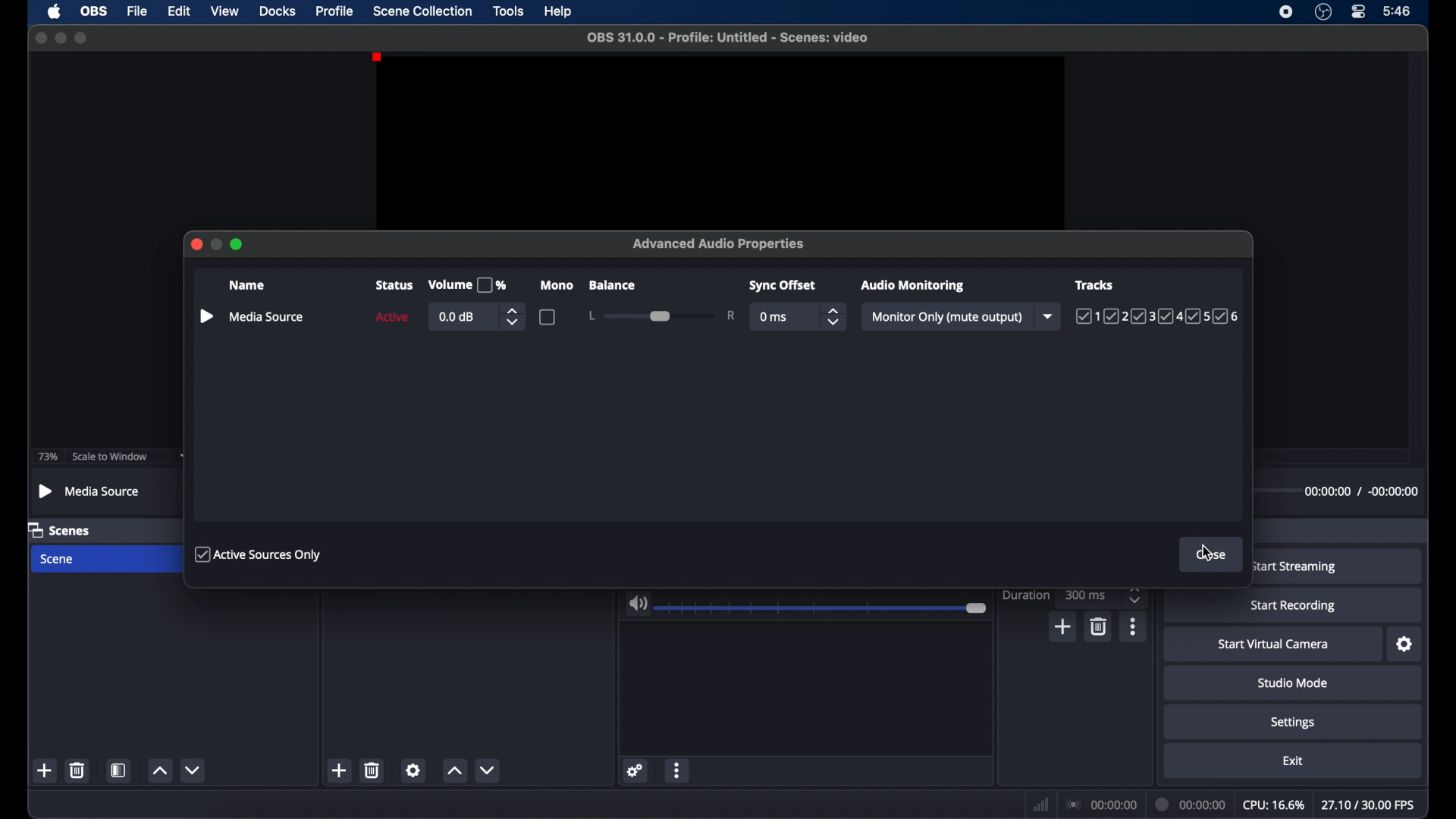 This screenshot has height=819, width=1456. Describe the element at coordinates (1134, 626) in the screenshot. I see `more options` at that location.